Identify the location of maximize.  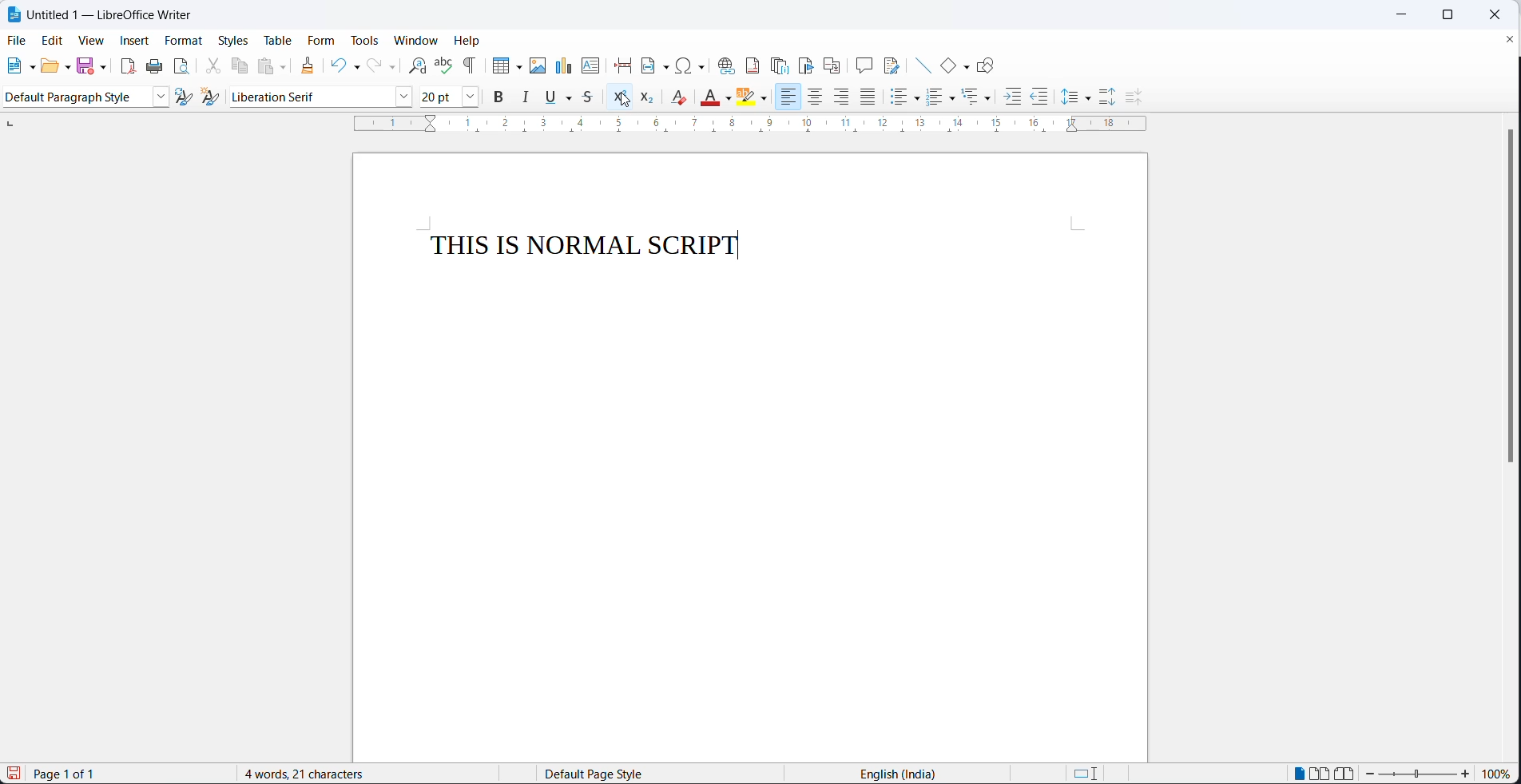
(1444, 16).